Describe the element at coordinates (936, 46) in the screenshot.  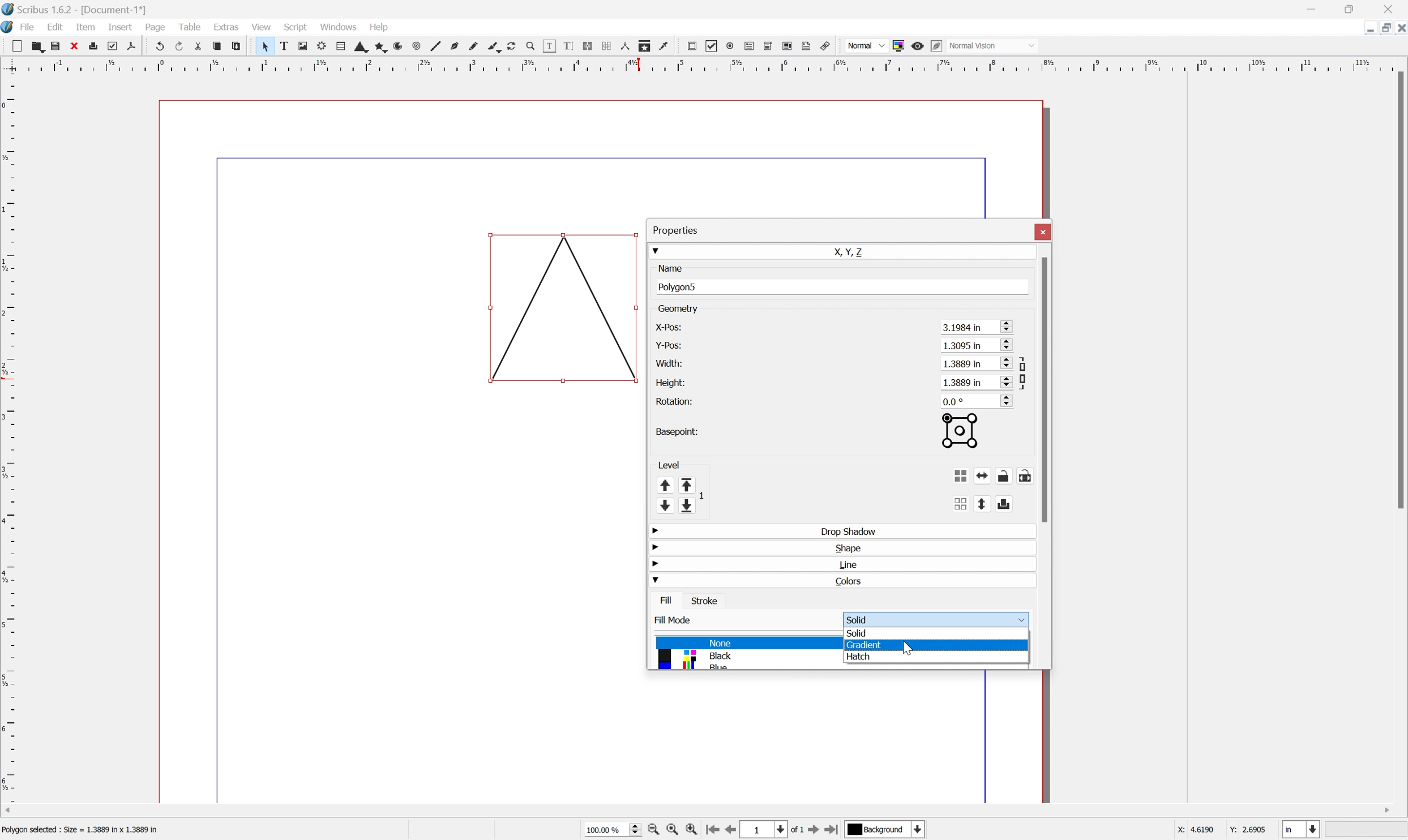
I see `Edit in preview mode` at that location.